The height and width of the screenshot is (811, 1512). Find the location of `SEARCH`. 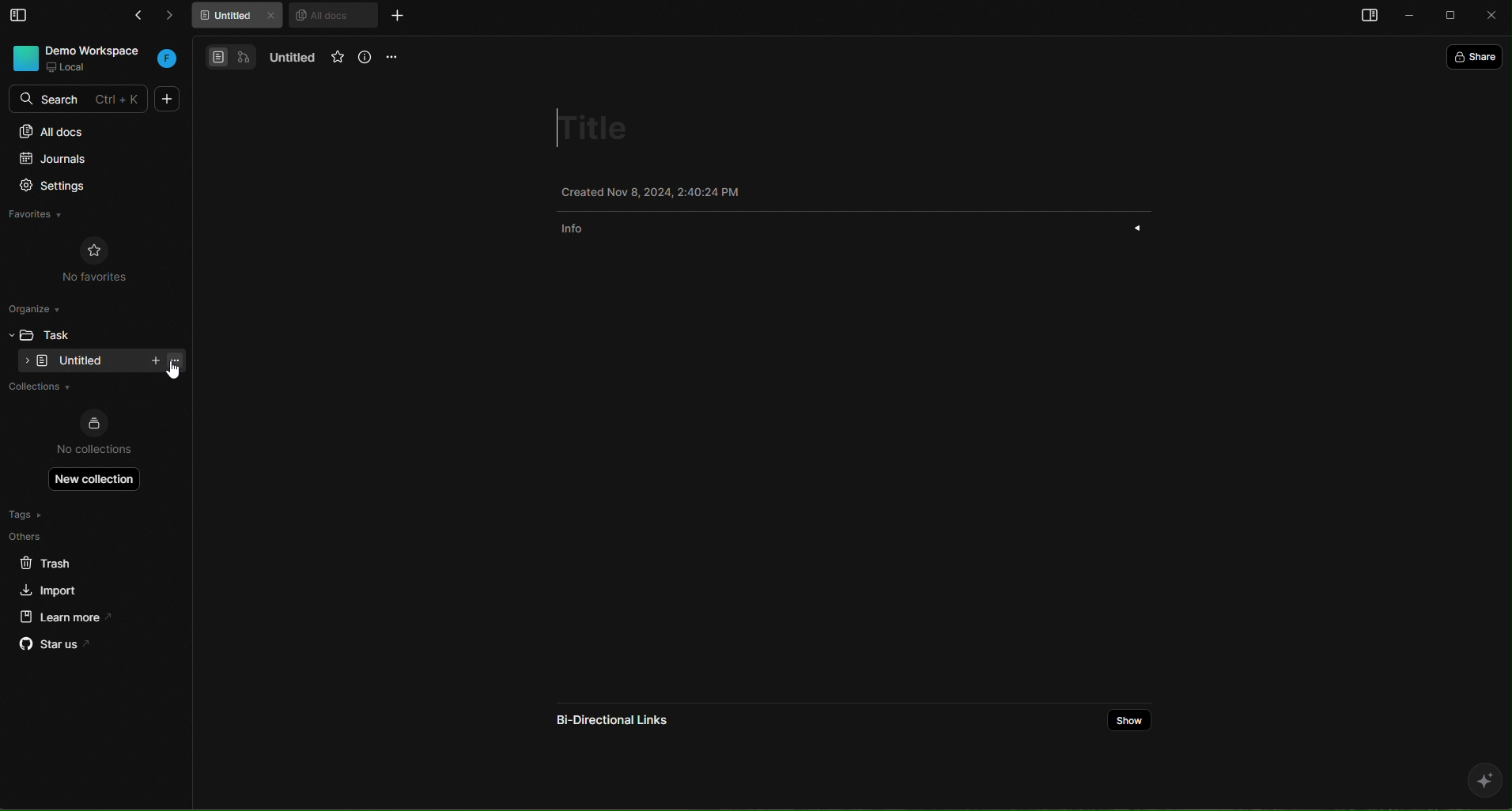

SEARCH is located at coordinates (81, 100).